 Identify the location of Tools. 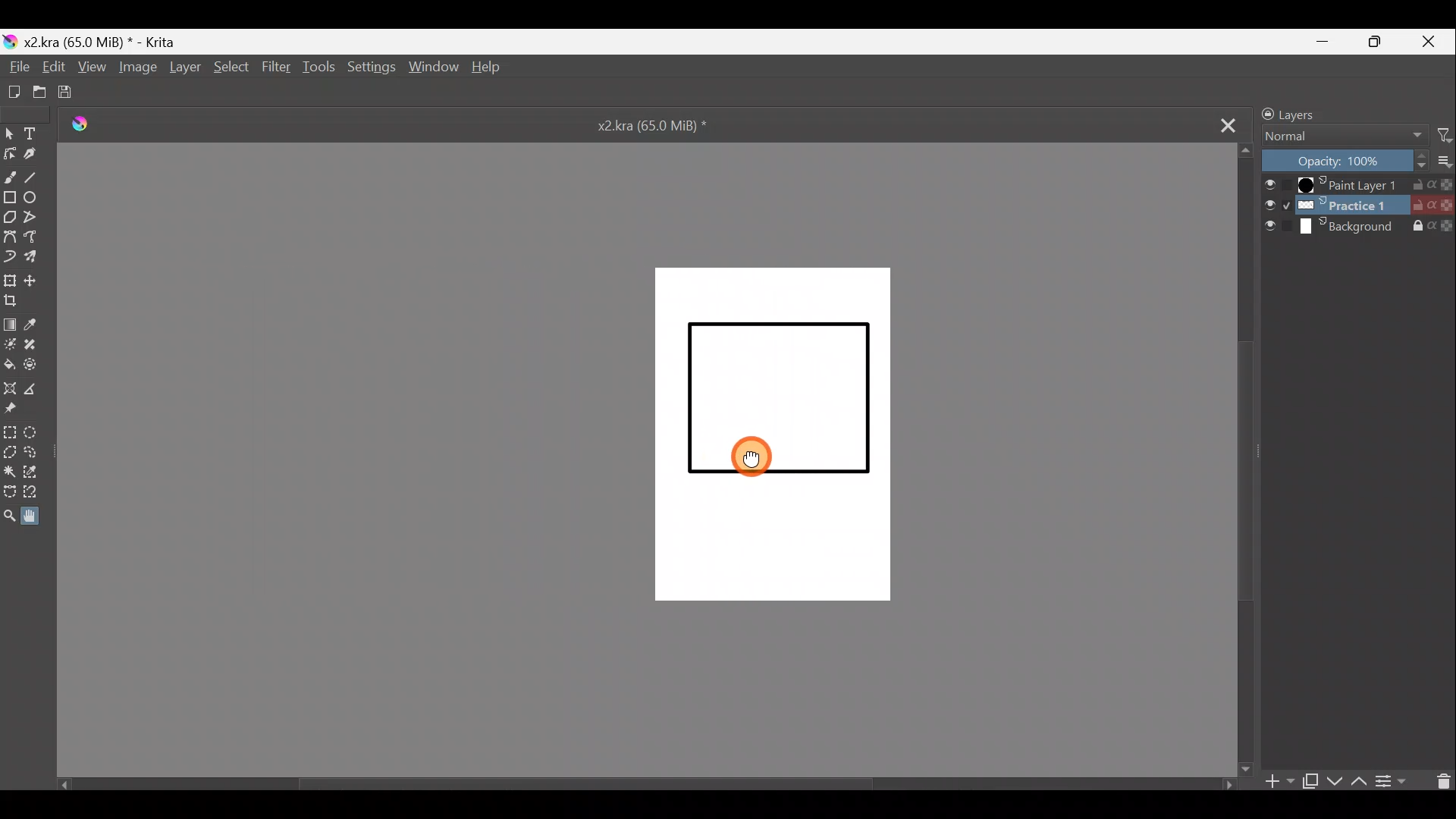
(316, 71).